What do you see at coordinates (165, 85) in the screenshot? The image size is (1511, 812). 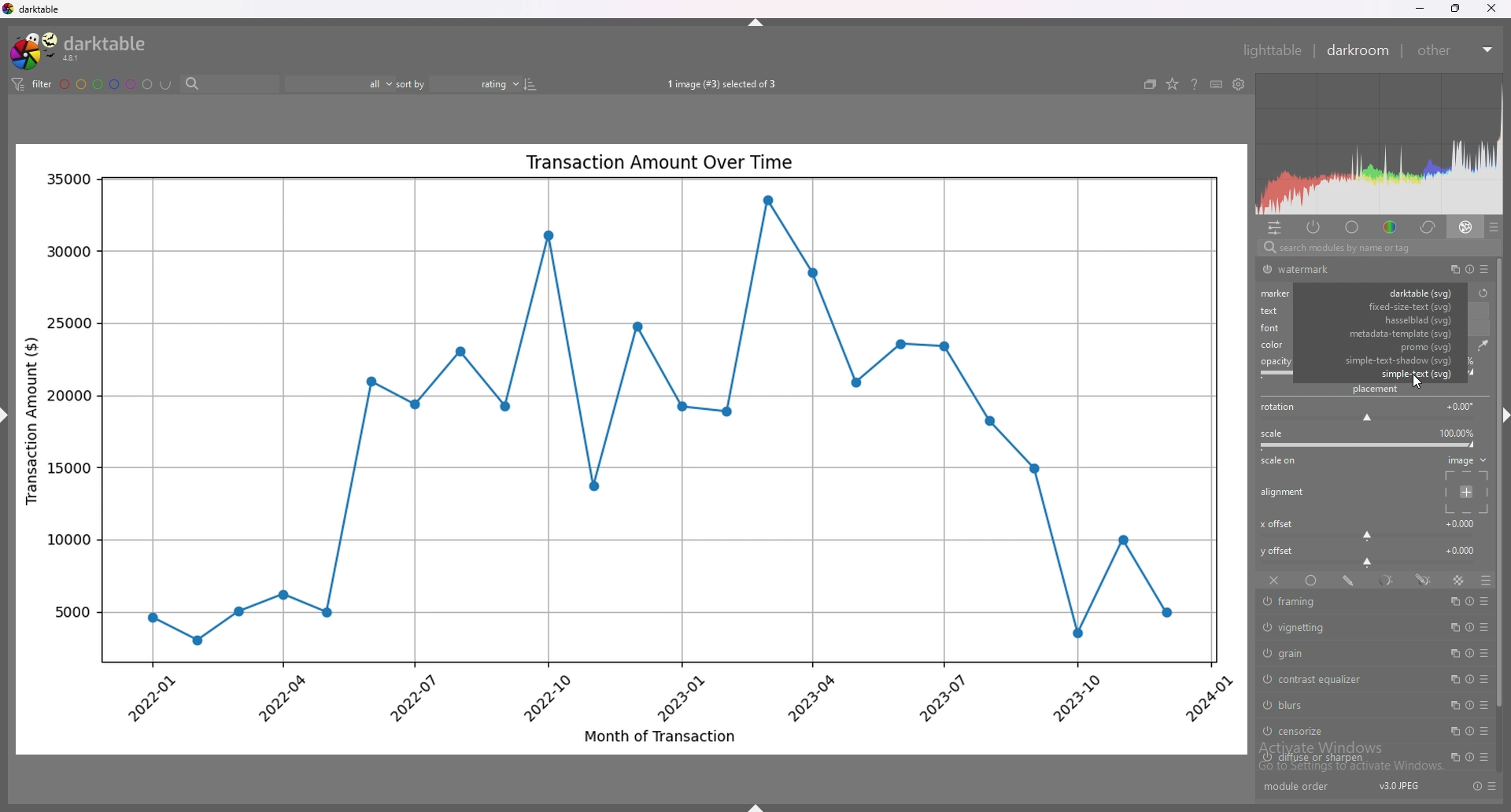 I see `including color labels` at bounding box center [165, 85].